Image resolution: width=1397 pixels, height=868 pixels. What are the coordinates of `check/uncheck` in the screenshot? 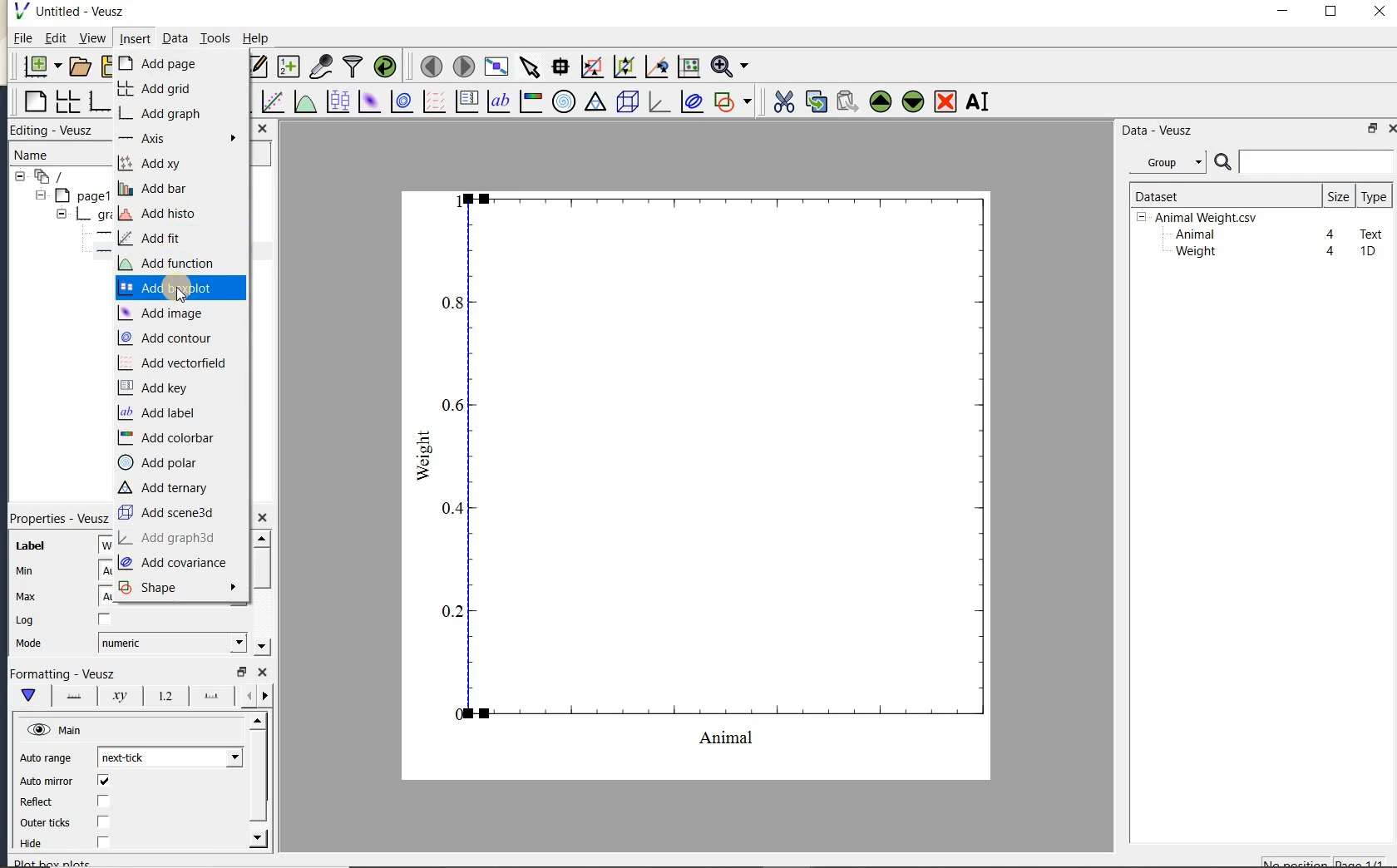 It's located at (102, 841).